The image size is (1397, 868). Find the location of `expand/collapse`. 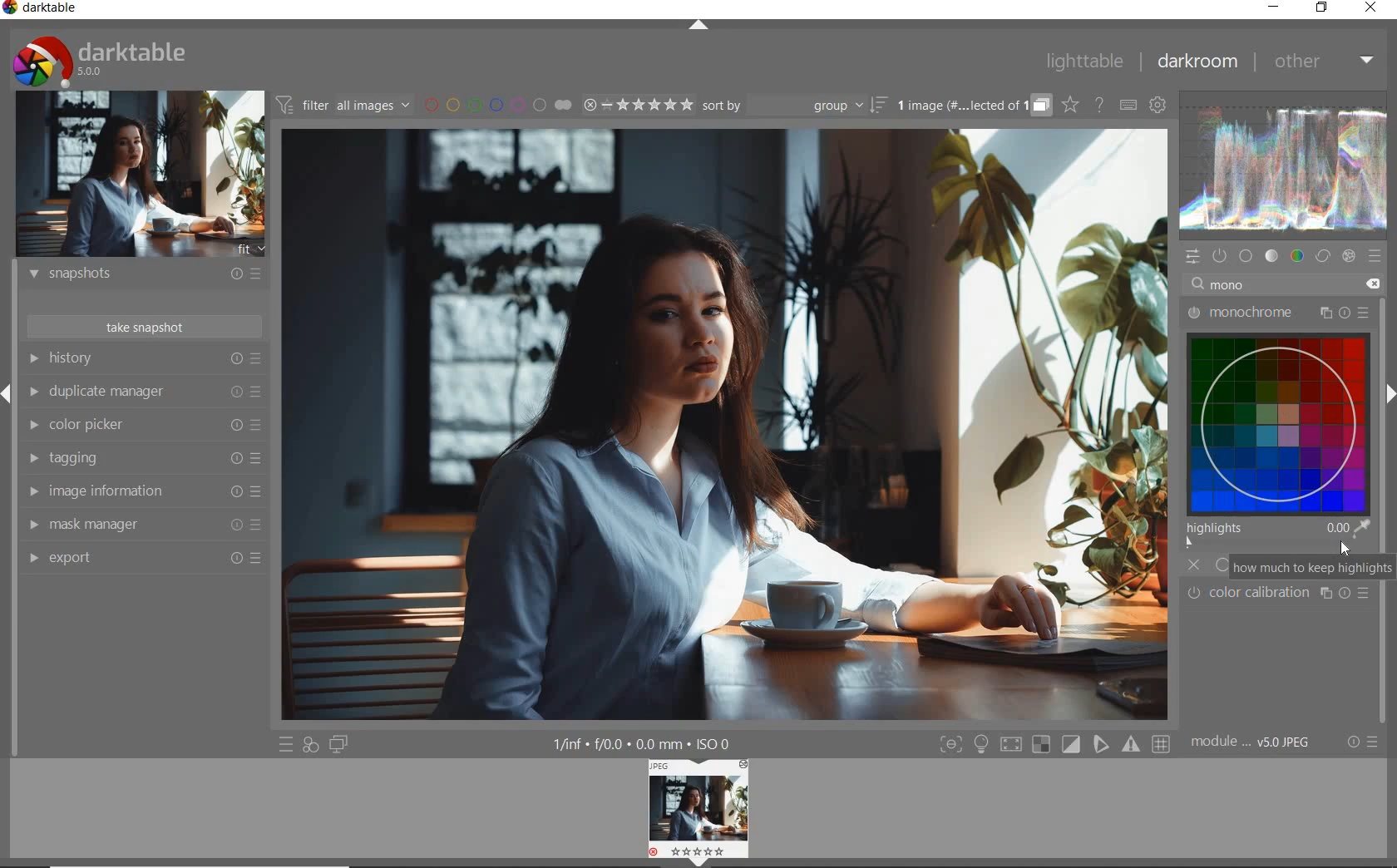

expand/collapse is located at coordinates (700, 21).